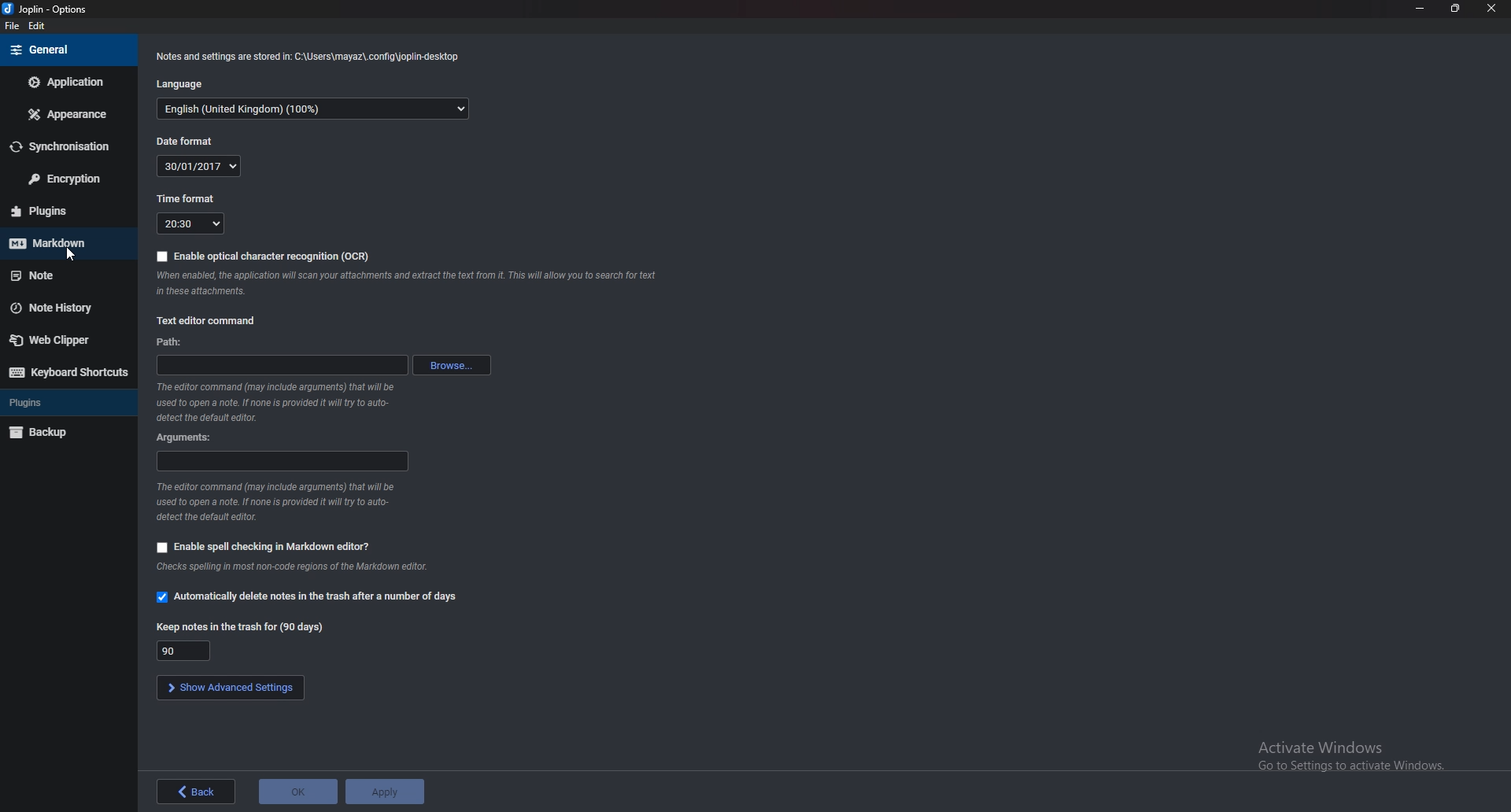 This screenshot has height=812, width=1511. Describe the element at coordinates (282, 366) in the screenshot. I see `path` at that location.